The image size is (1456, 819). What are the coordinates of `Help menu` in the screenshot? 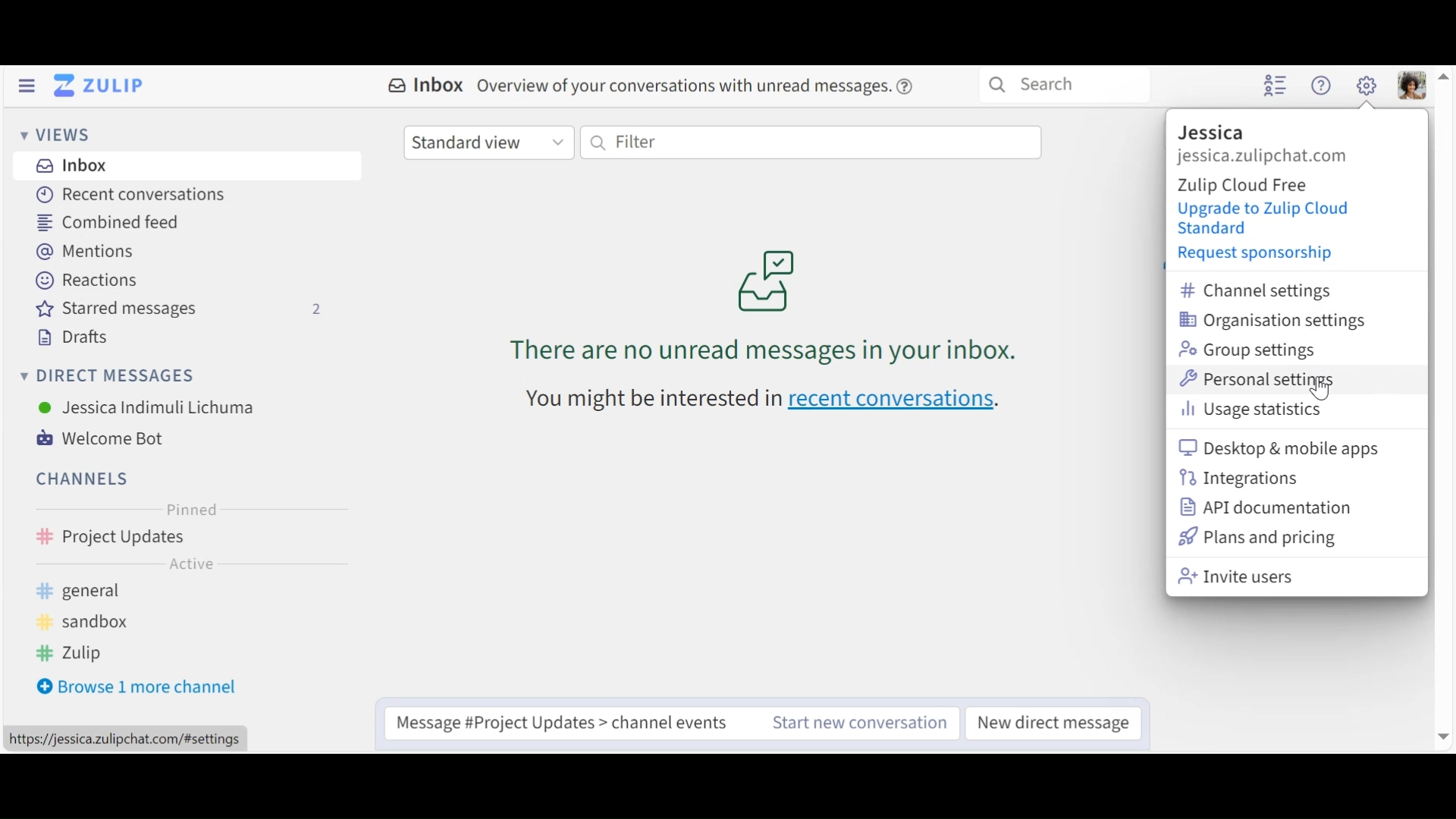 It's located at (1321, 84).